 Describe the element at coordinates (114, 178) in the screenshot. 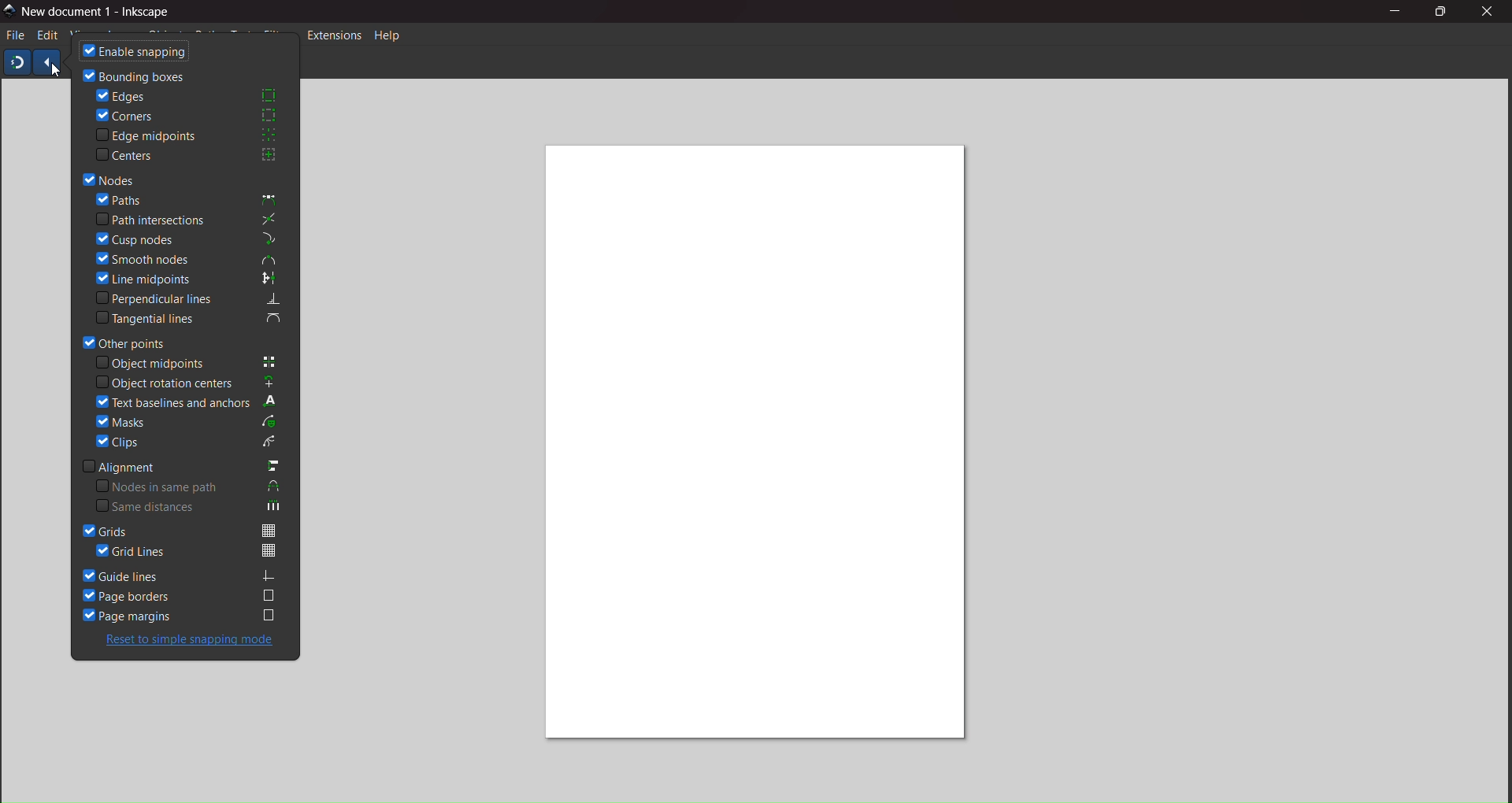

I see `nodes` at that location.